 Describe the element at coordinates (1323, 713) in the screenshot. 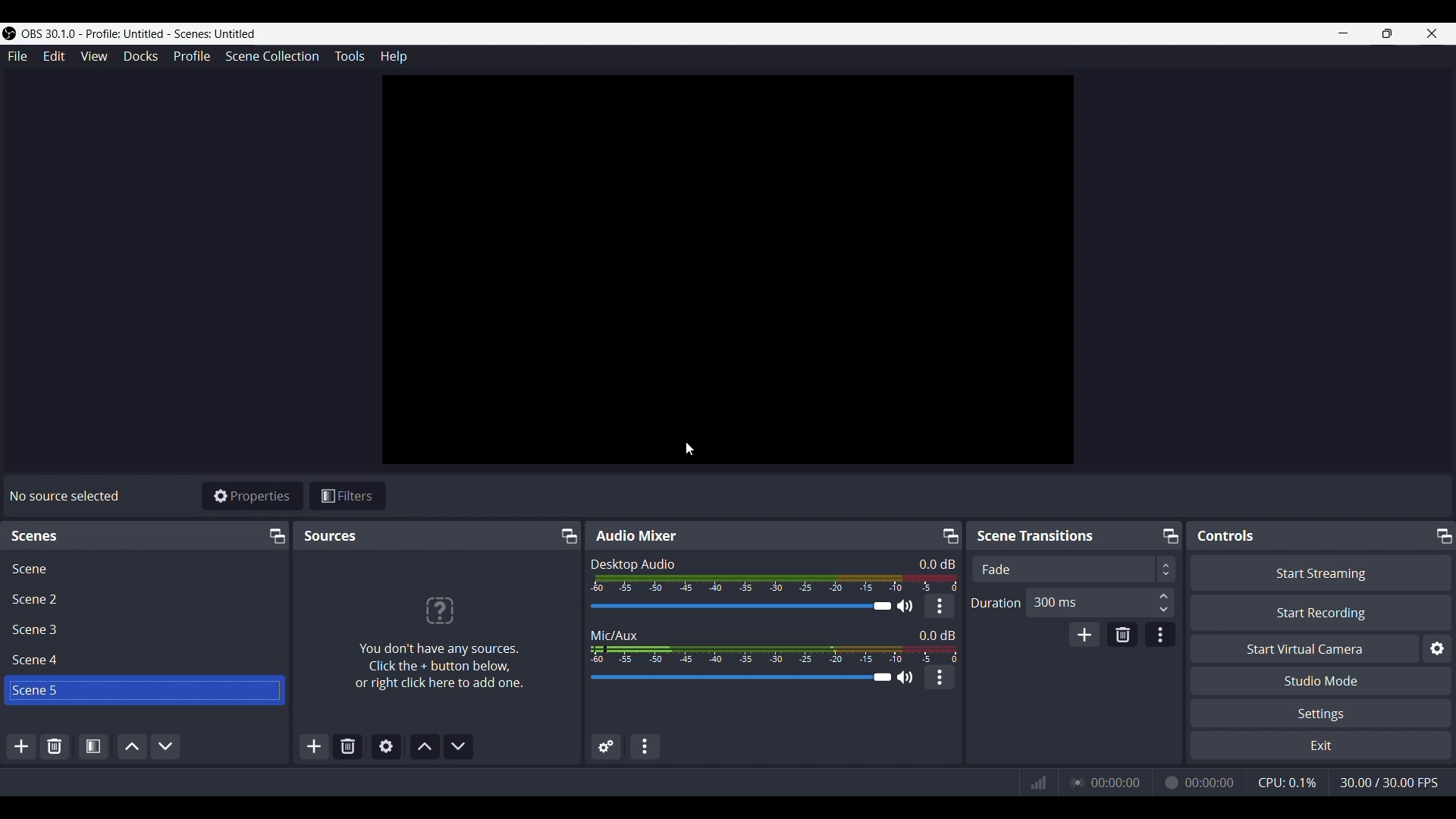

I see `Settings` at that location.